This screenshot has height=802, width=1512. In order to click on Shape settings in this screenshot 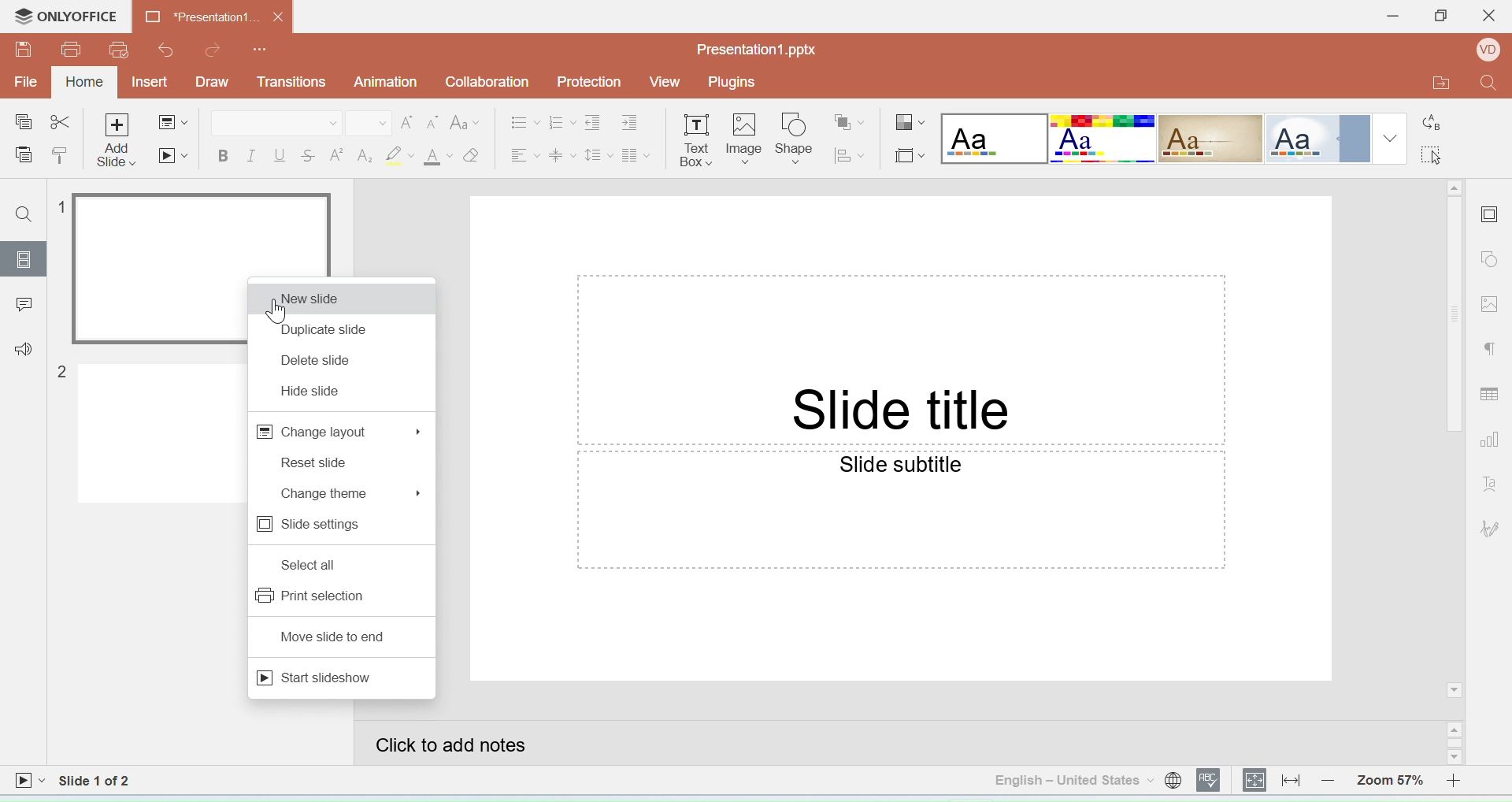, I will do `click(1493, 261)`.